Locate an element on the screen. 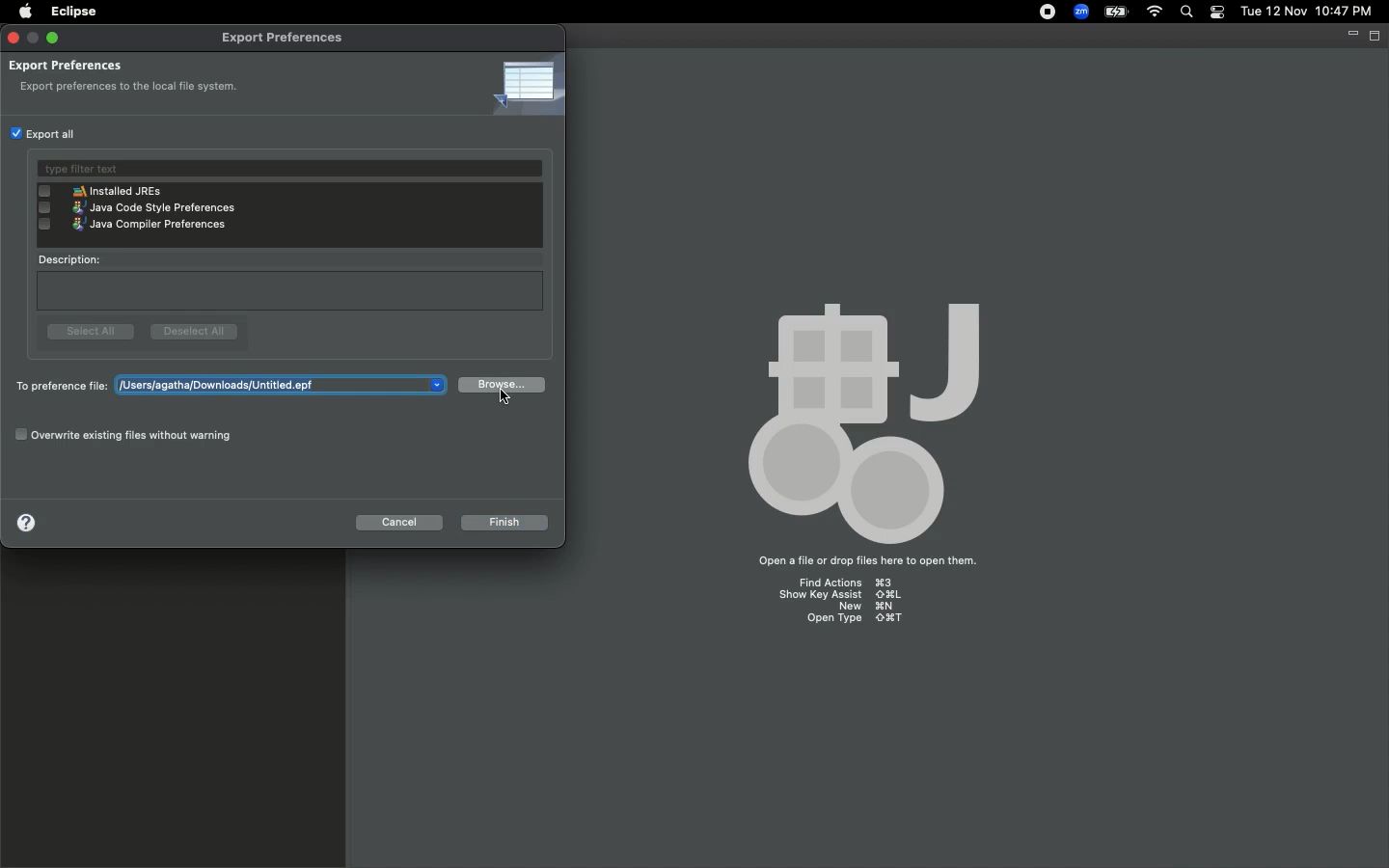 The height and width of the screenshot is (868, 1389). java compiler preferences is located at coordinates (138, 225).